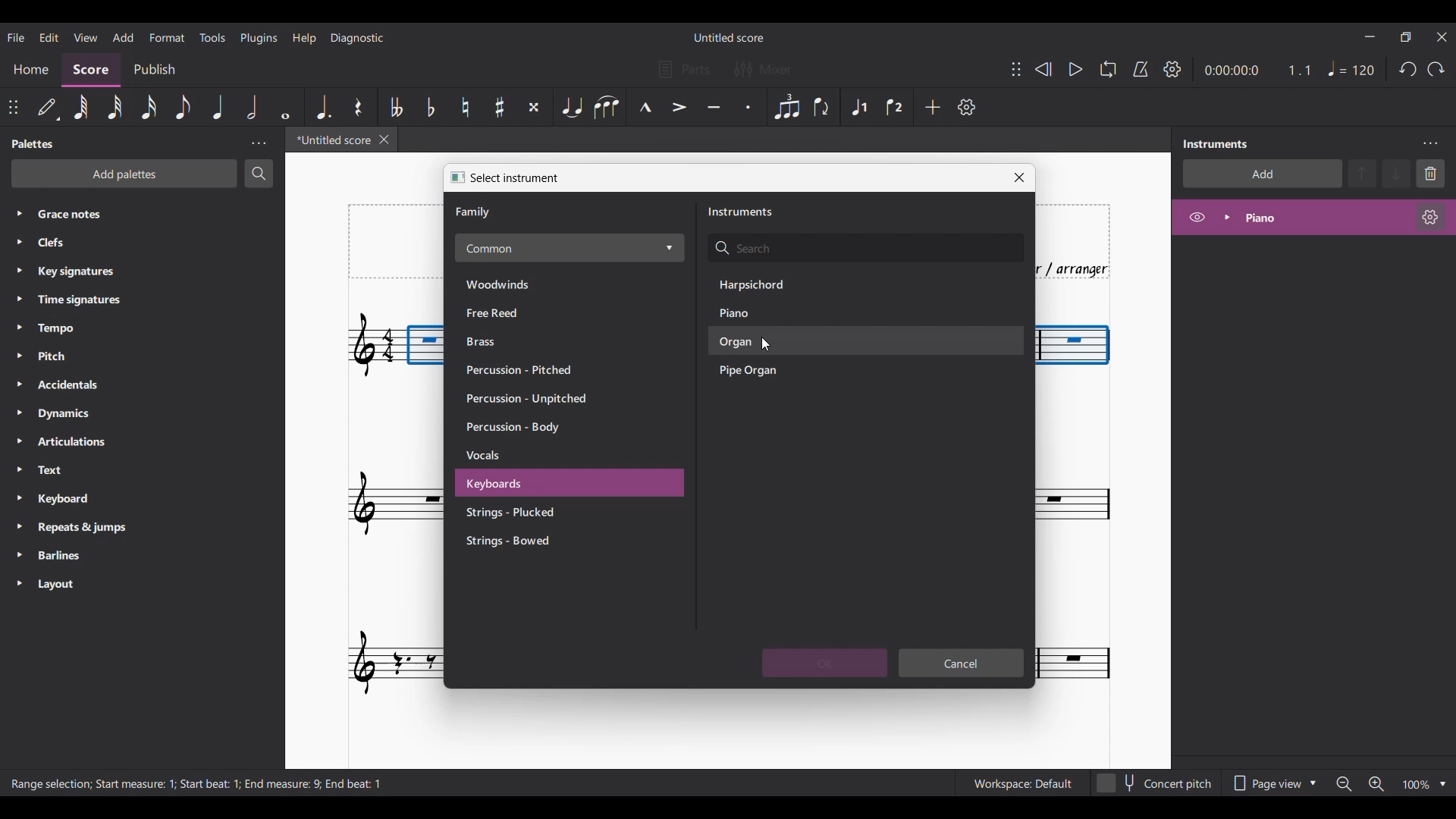 The width and height of the screenshot is (1456, 819). I want to click on Add palette, so click(124, 174).